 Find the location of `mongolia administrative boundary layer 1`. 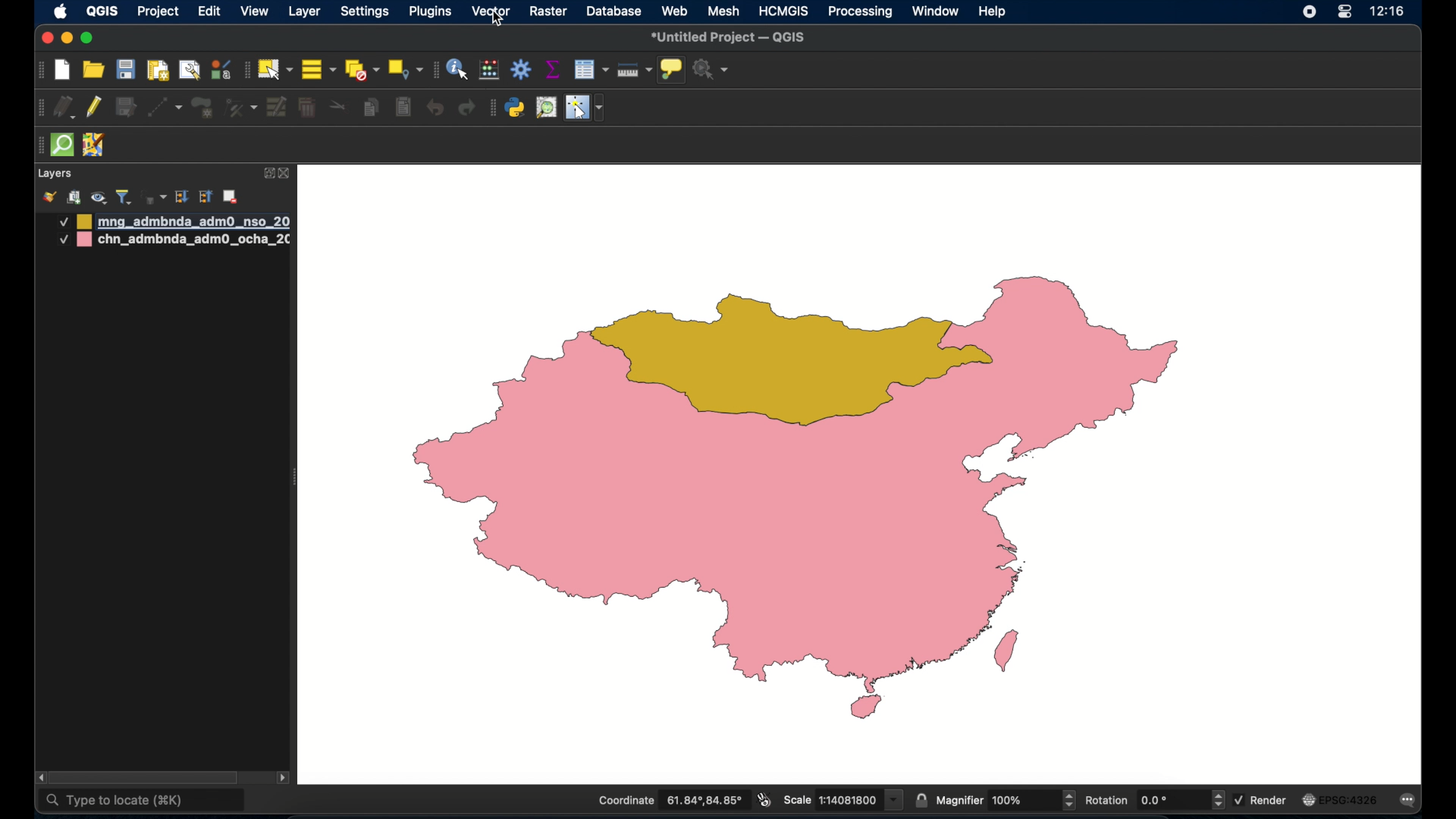

mongolia administrative boundary layer 1 is located at coordinates (172, 221).